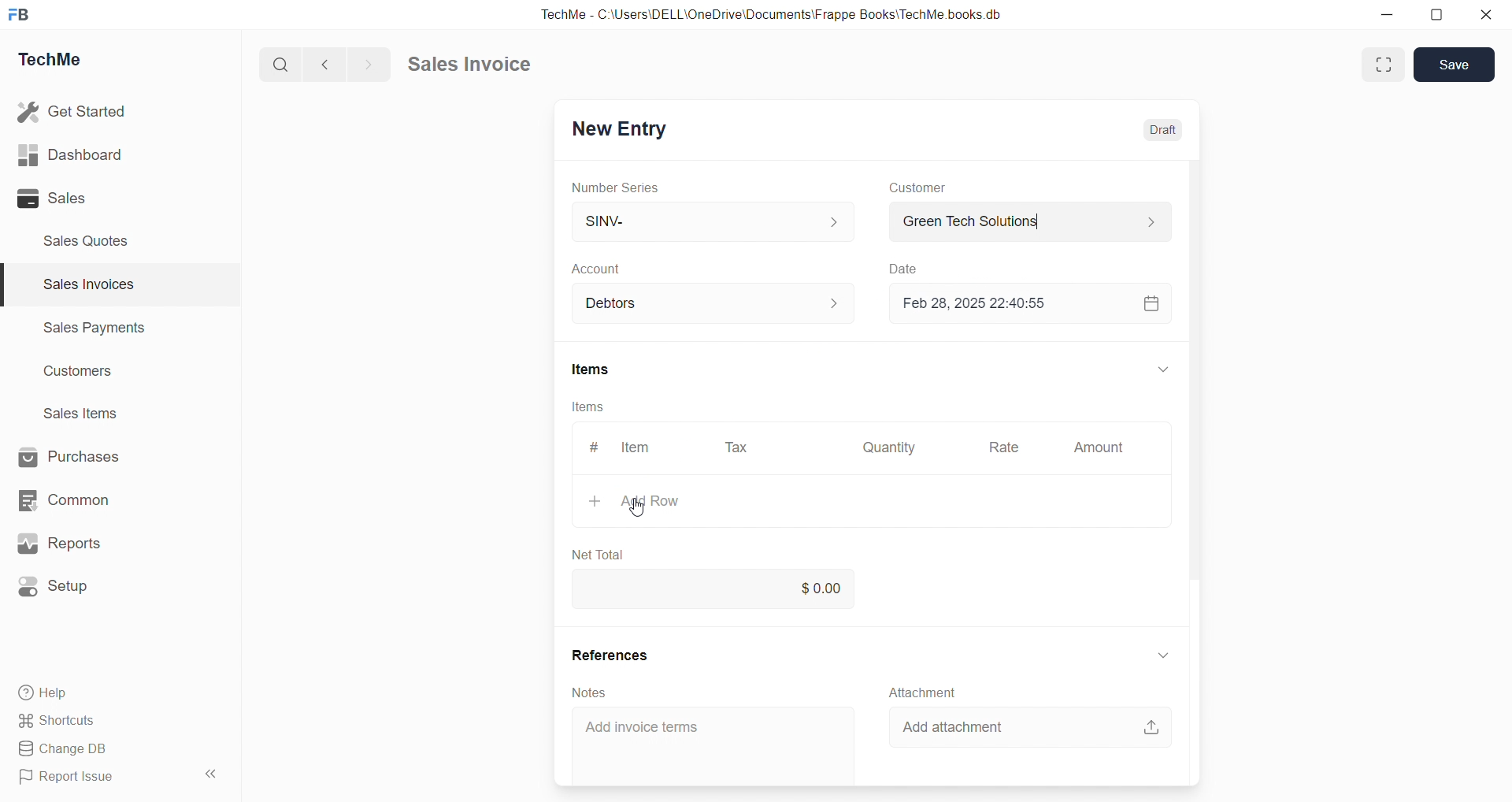 This screenshot has height=802, width=1512. Describe the element at coordinates (643, 727) in the screenshot. I see `Add invoice terms` at that location.